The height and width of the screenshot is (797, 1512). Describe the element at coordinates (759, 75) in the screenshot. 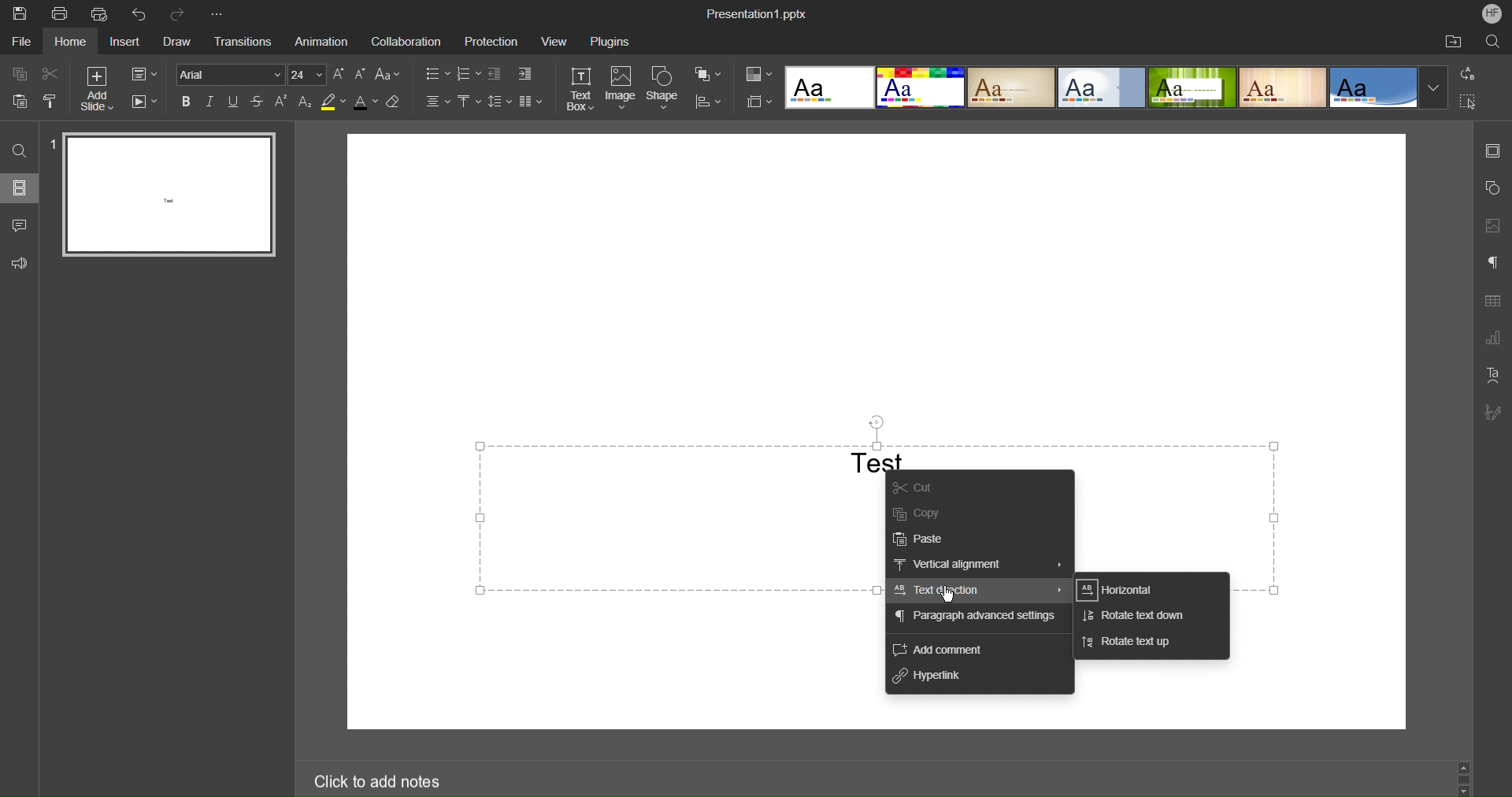

I see `Colors` at that location.